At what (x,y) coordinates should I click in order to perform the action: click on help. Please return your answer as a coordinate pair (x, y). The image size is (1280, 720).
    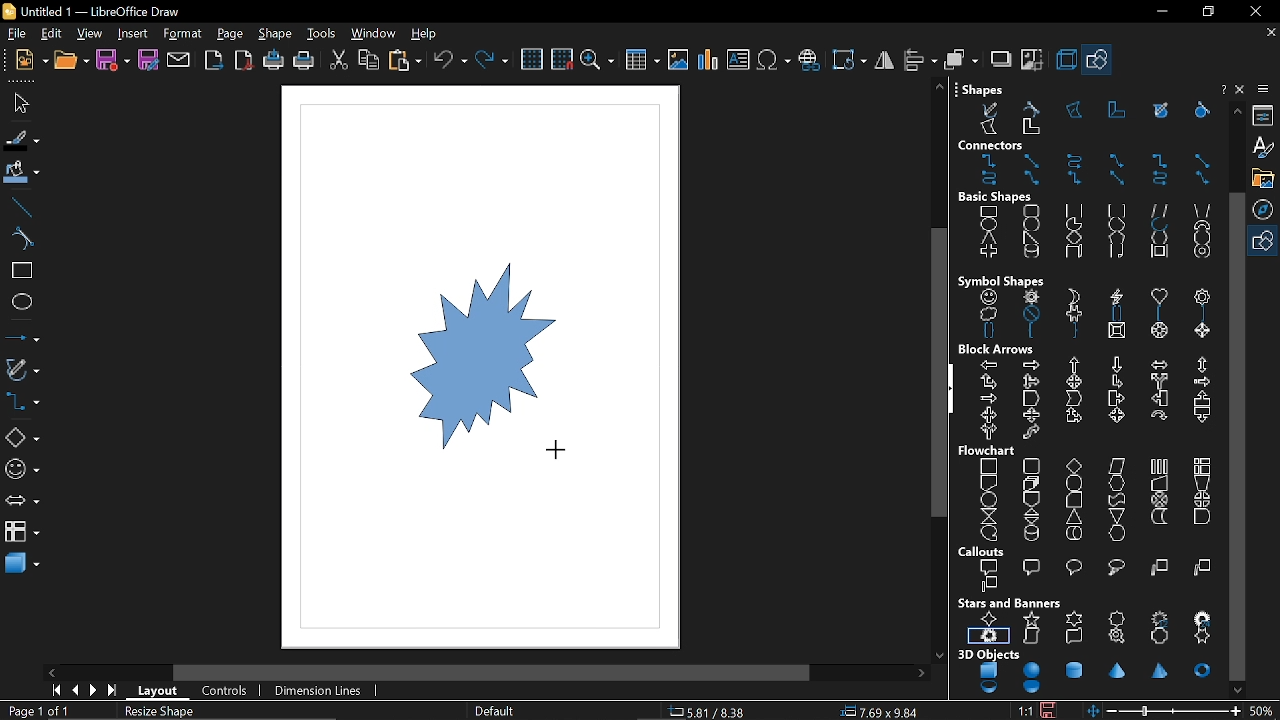
    Looking at the image, I should click on (426, 34).